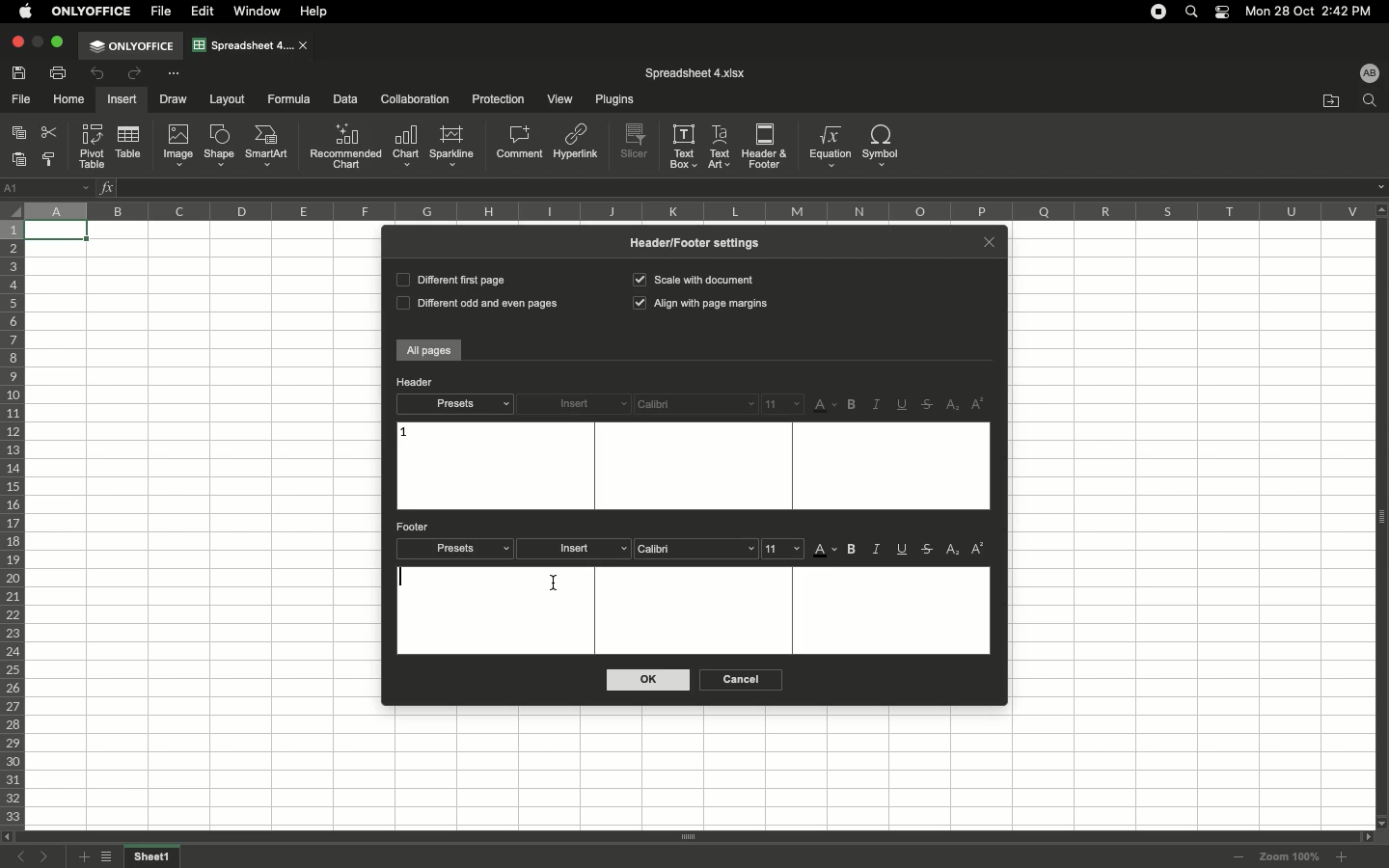 The height and width of the screenshot is (868, 1389). What do you see at coordinates (688, 838) in the screenshot?
I see `Scroll` at bounding box center [688, 838].